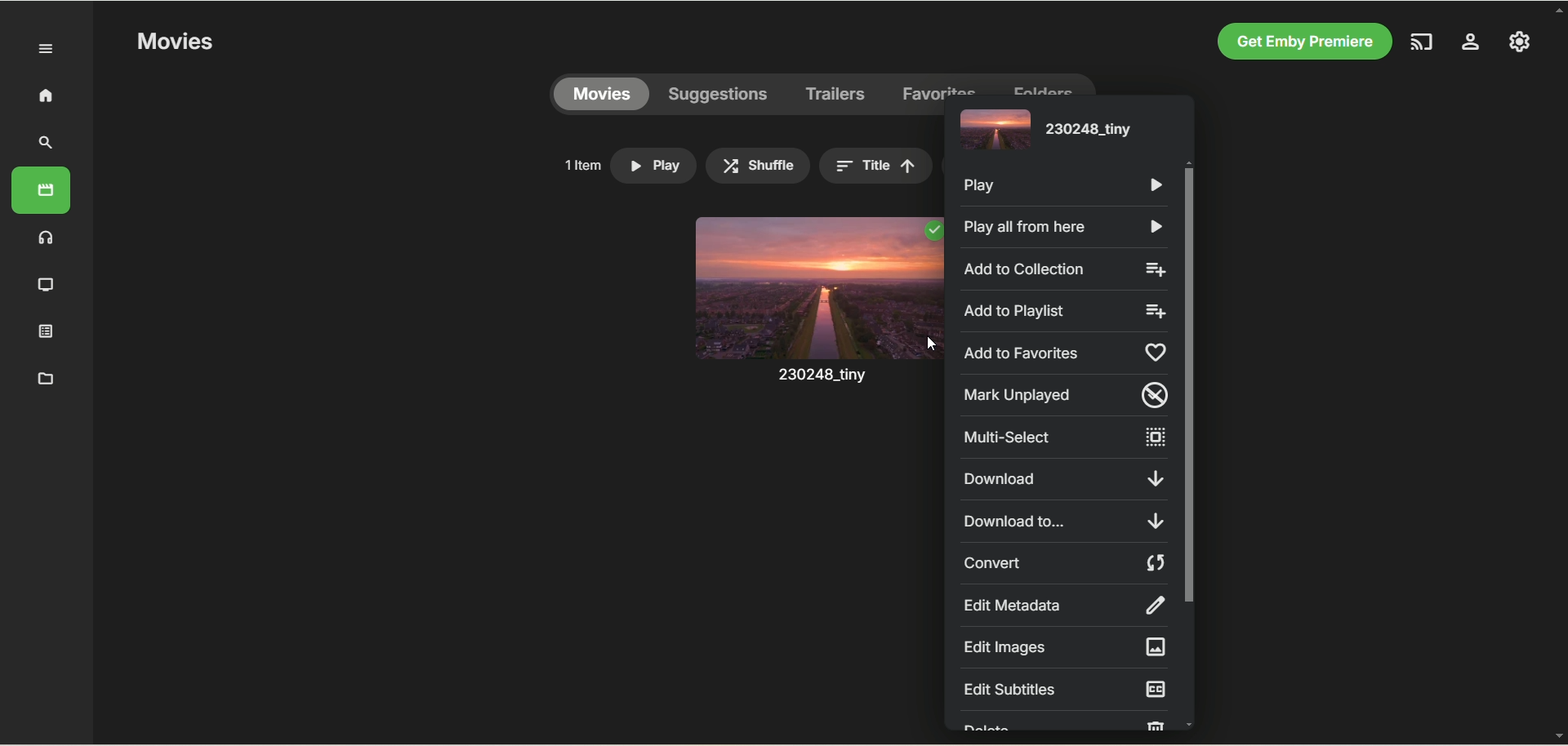 This screenshot has width=1568, height=746. Describe the element at coordinates (758, 166) in the screenshot. I see `shuffle` at that location.